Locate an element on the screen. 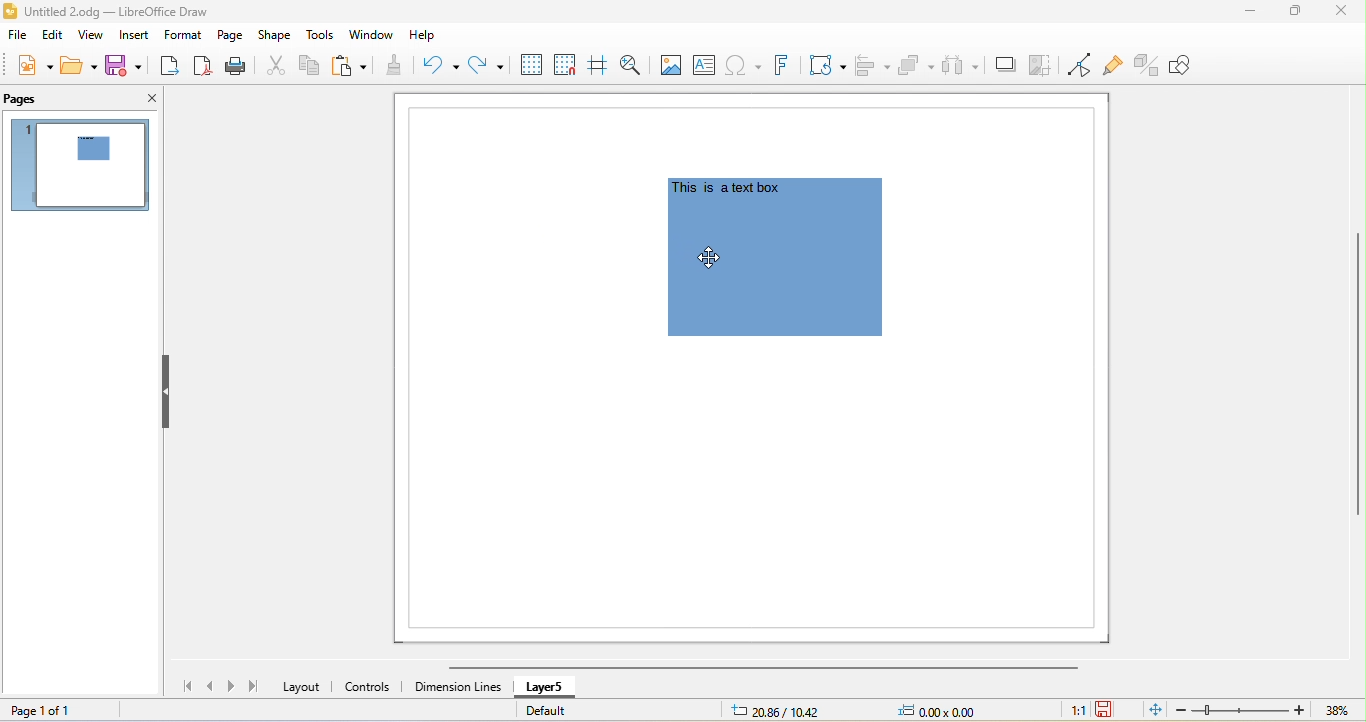 This screenshot has width=1366, height=722. display grid is located at coordinates (532, 64).